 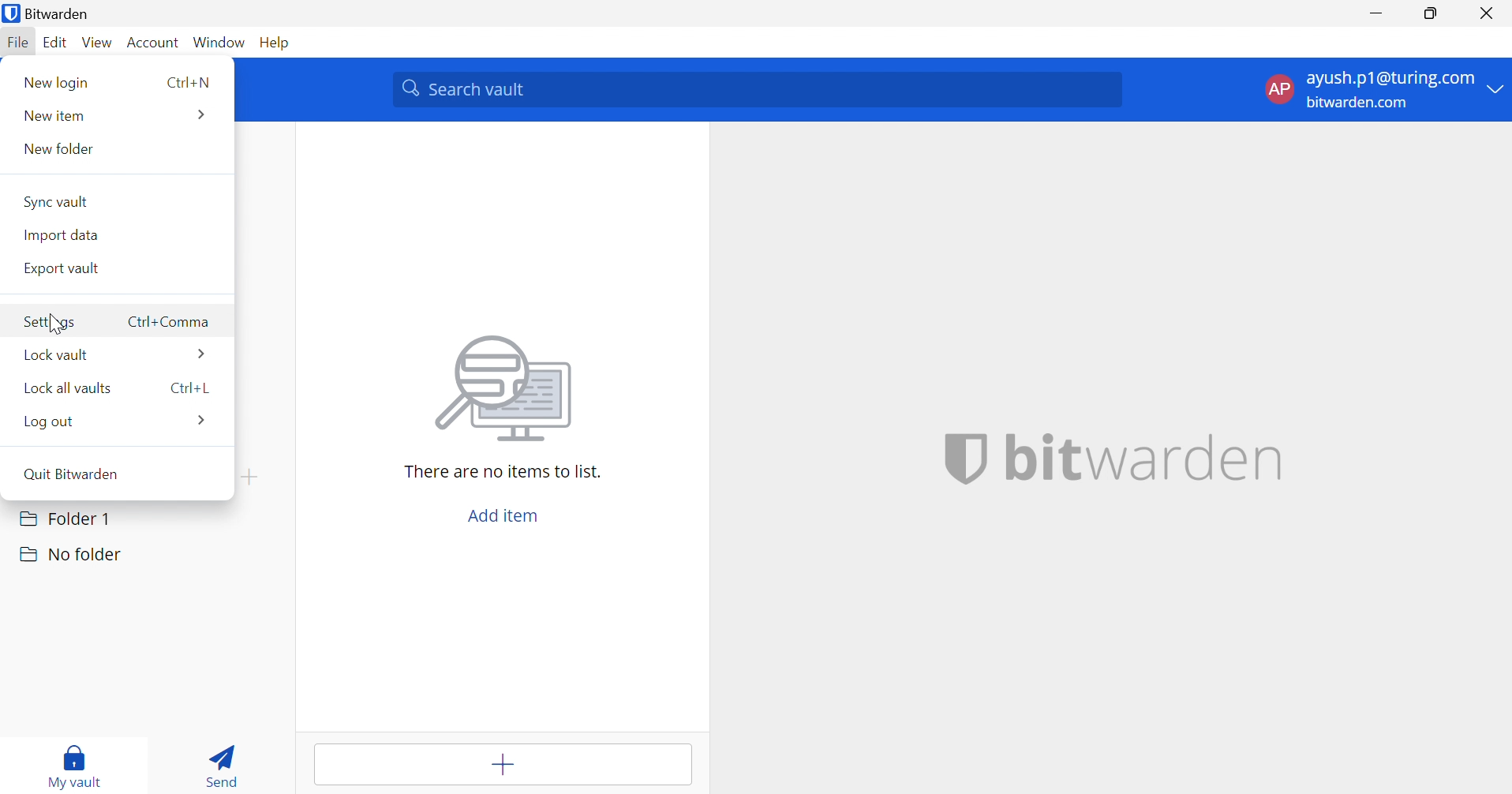 I want to click on bitwarden.com, so click(x=1361, y=103).